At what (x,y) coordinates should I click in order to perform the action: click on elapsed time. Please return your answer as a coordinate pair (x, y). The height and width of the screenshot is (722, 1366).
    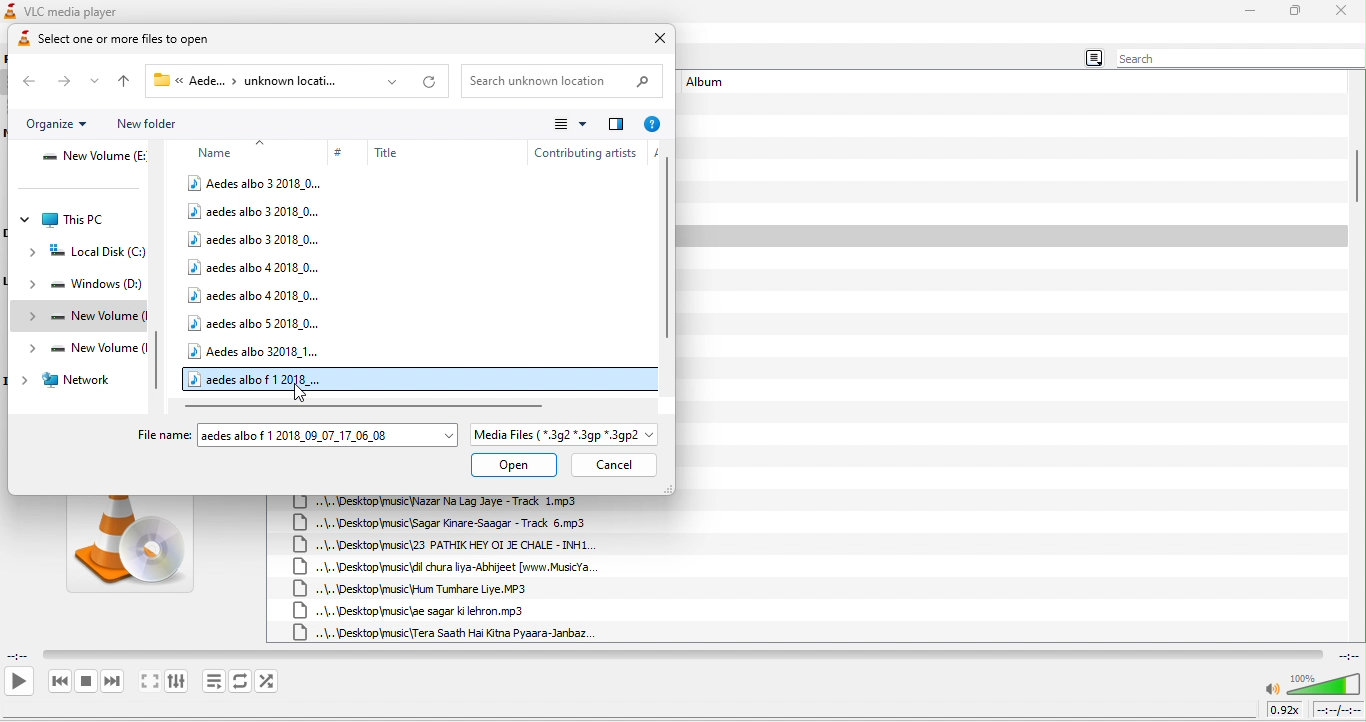
    Looking at the image, I should click on (20, 654).